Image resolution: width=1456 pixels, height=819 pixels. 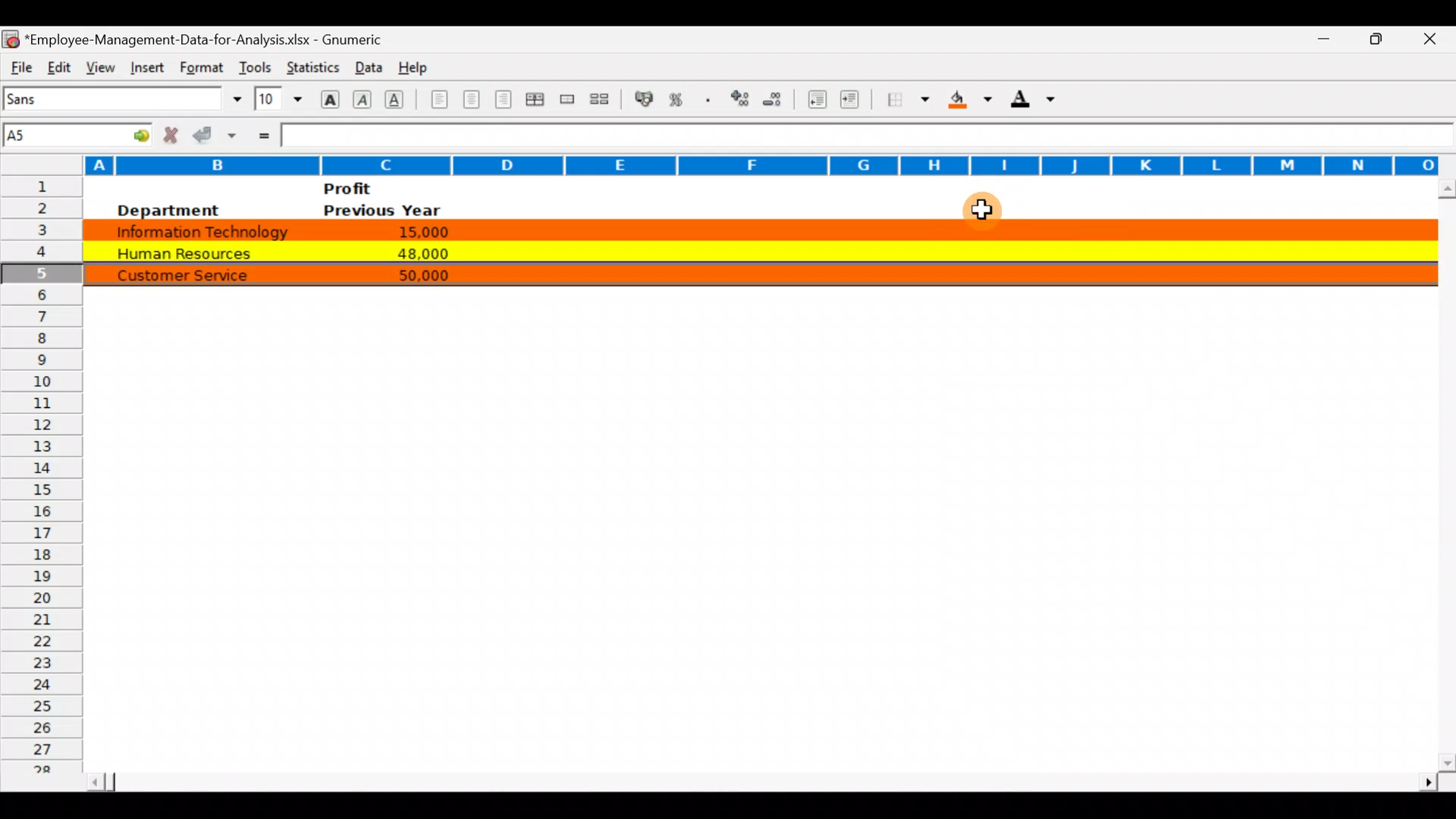 What do you see at coordinates (20, 65) in the screenshot?
I see `File` at bounding box center [20, 65].